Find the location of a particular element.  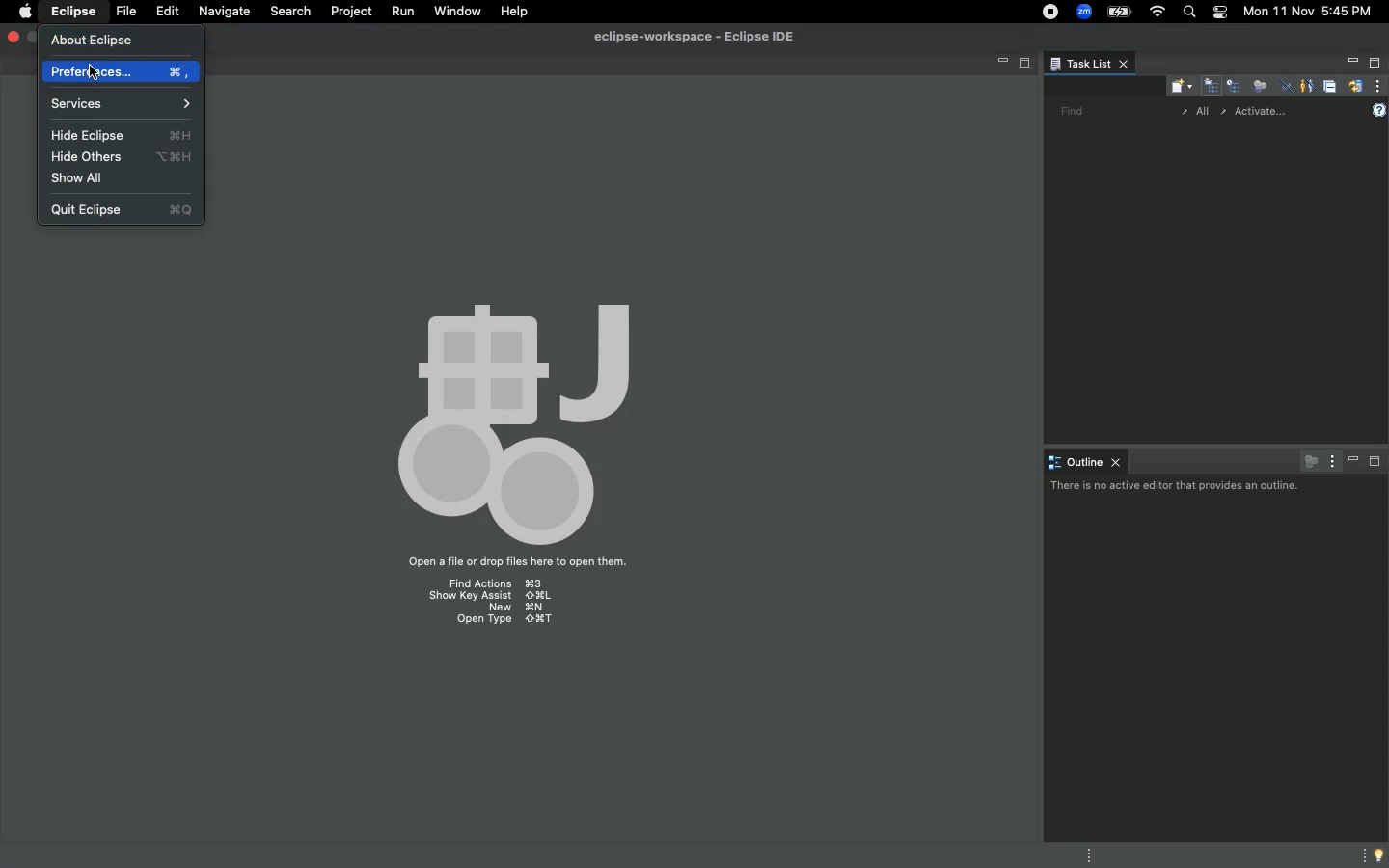

Focus on workweek is located at coordinates (1259, 84).